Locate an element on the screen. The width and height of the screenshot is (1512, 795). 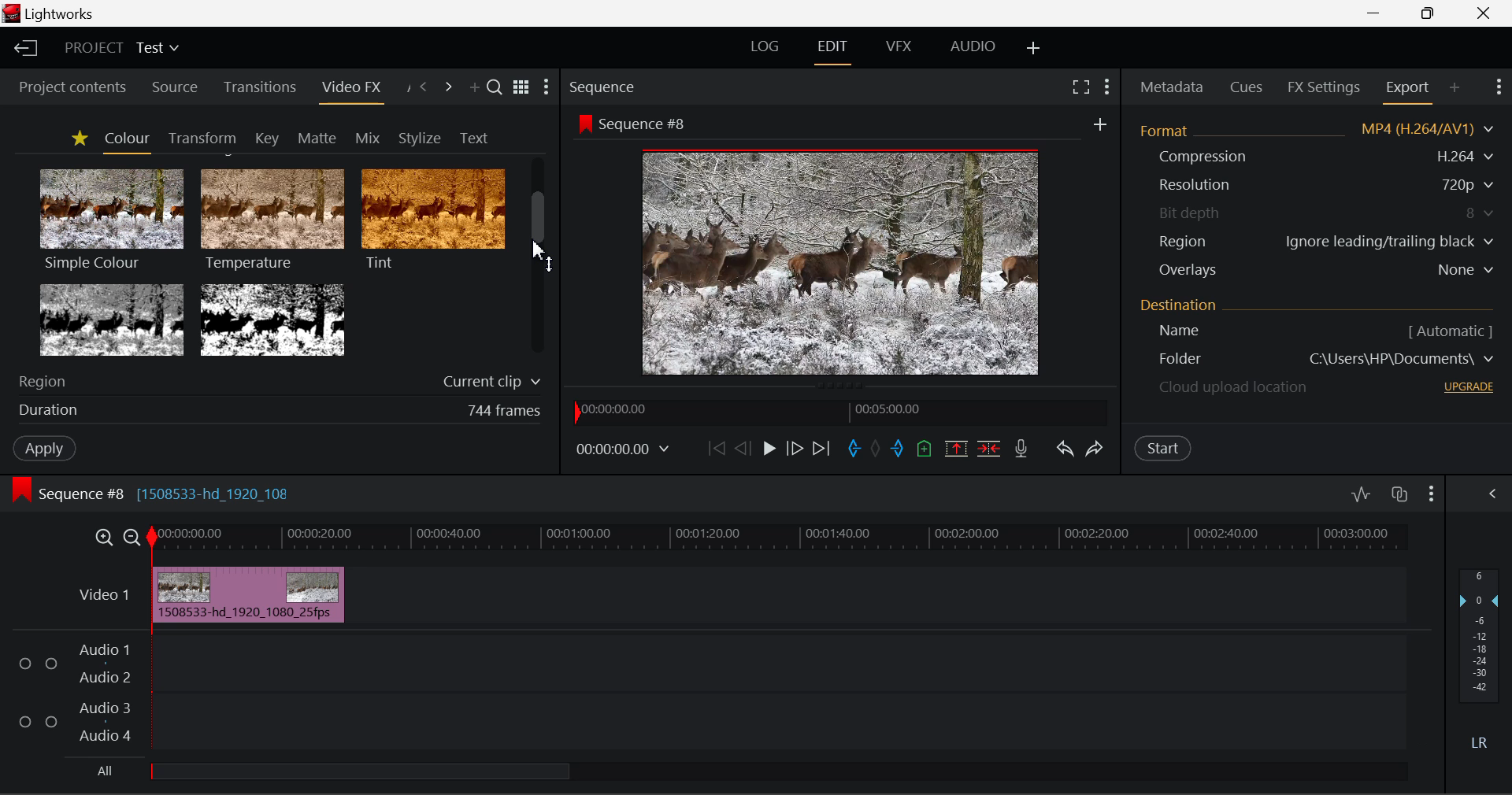
Project contents is located at coordinates (65, 89).